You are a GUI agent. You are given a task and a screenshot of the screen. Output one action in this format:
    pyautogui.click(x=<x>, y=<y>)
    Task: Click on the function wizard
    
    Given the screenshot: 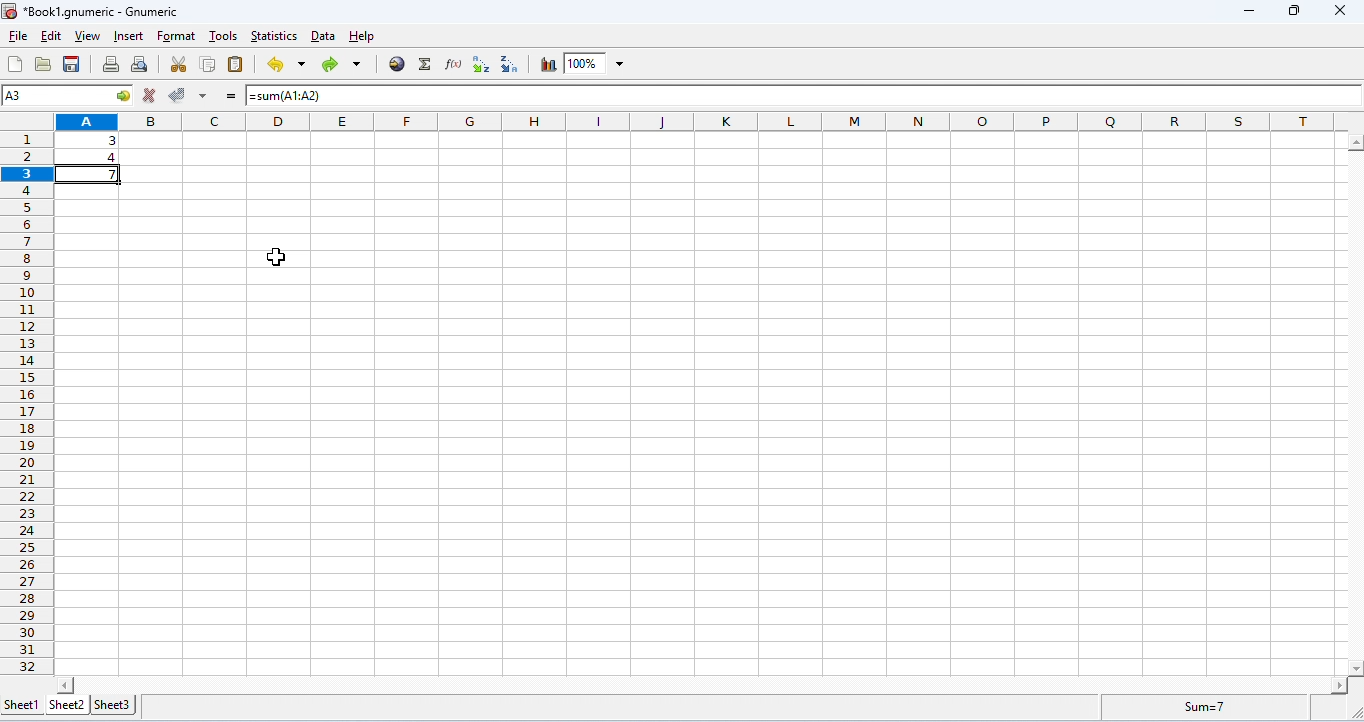 What is the action you would take?
    pyautogui.click(x=452, y=64)
    